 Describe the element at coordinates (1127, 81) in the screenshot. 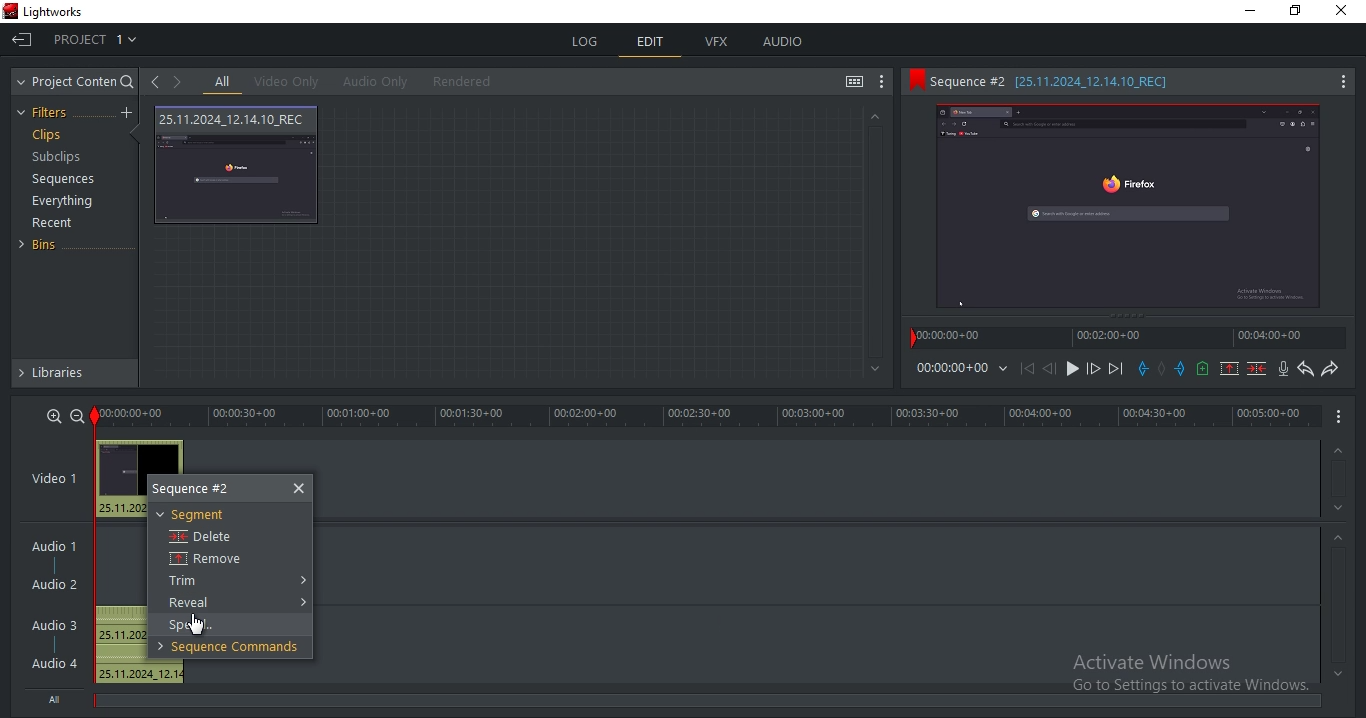

I see `sequence 2` at that location.